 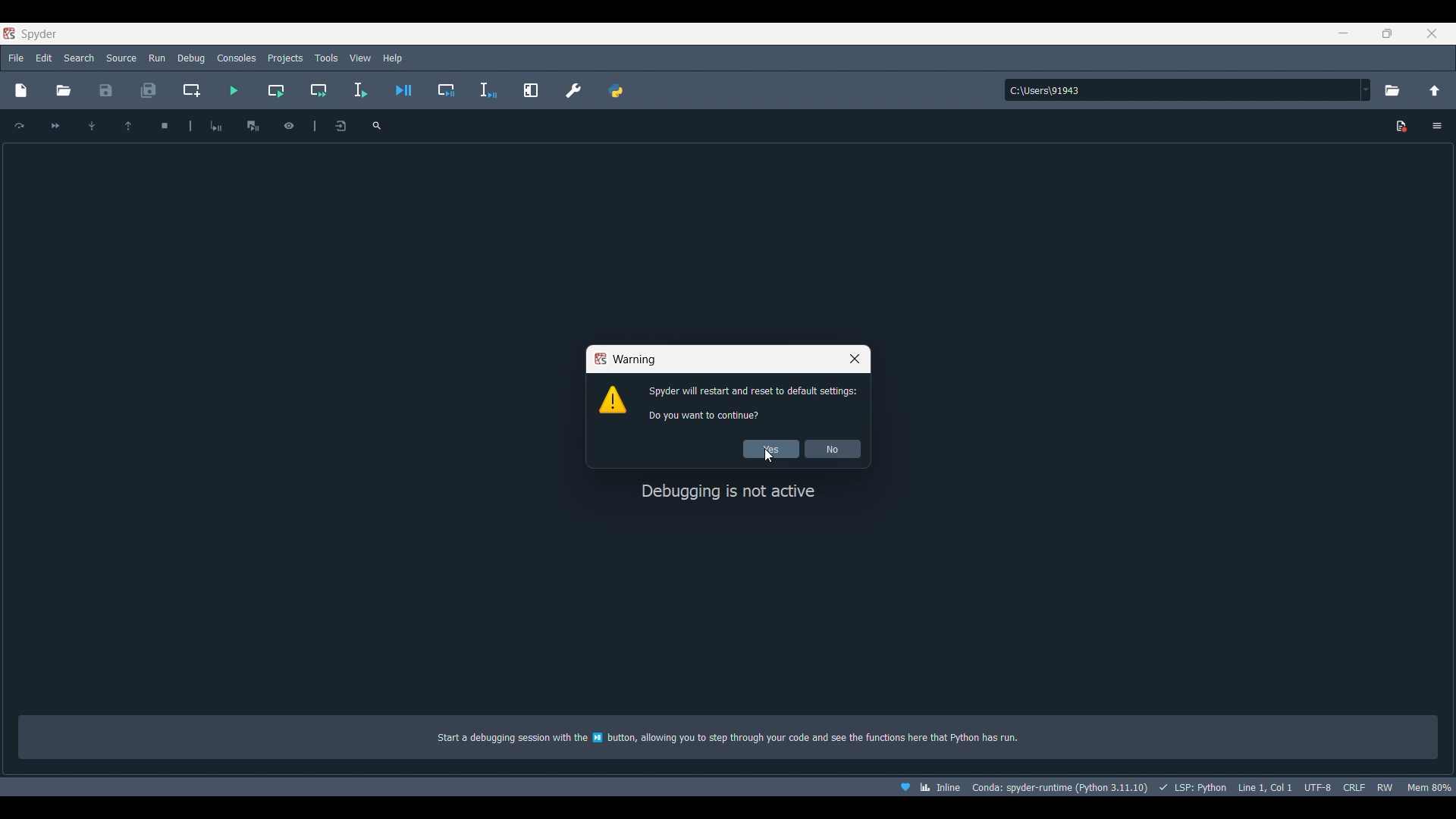 I want to click on No, so click(x=833, y=449).